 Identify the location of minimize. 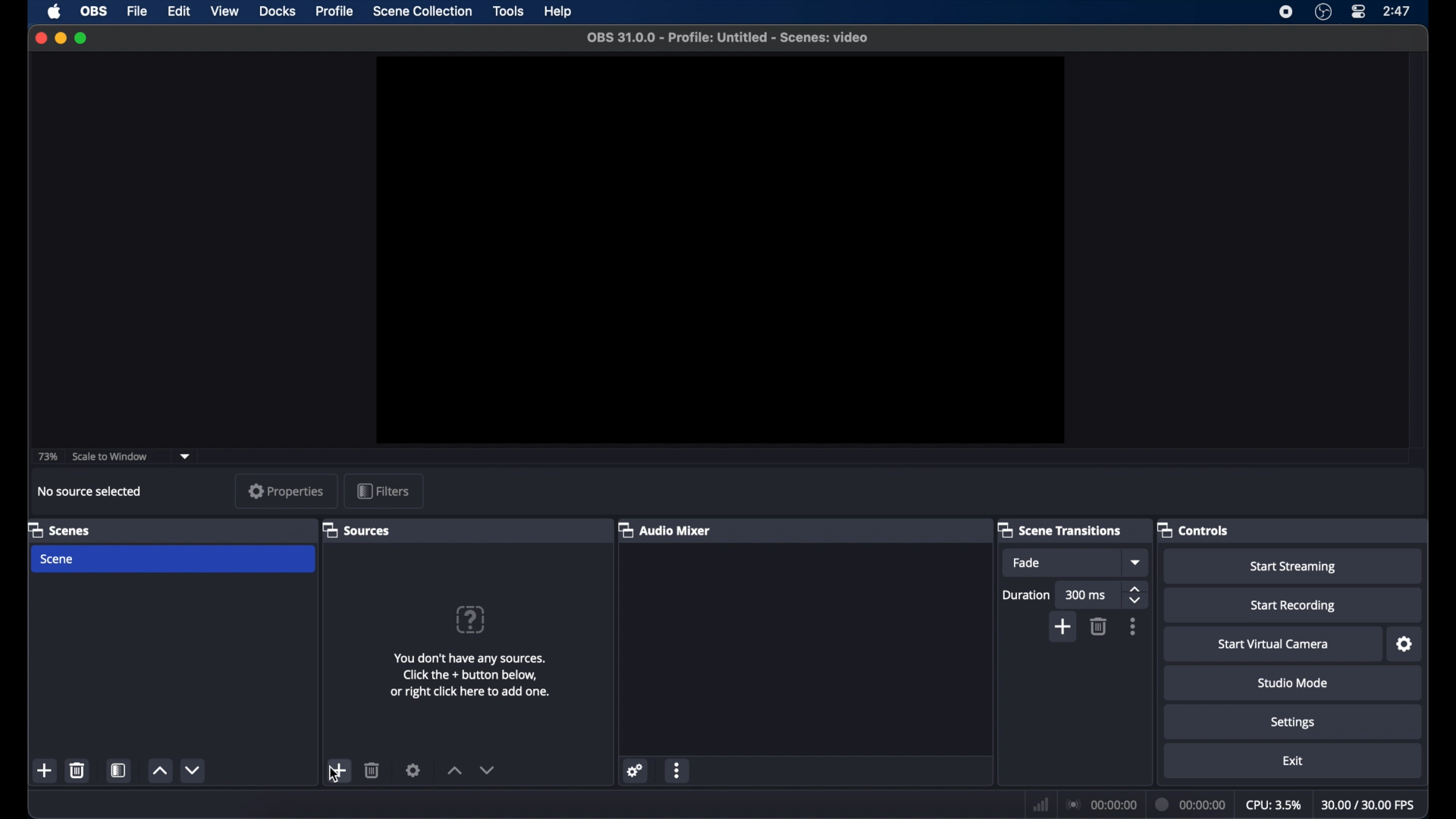
(59, 38).